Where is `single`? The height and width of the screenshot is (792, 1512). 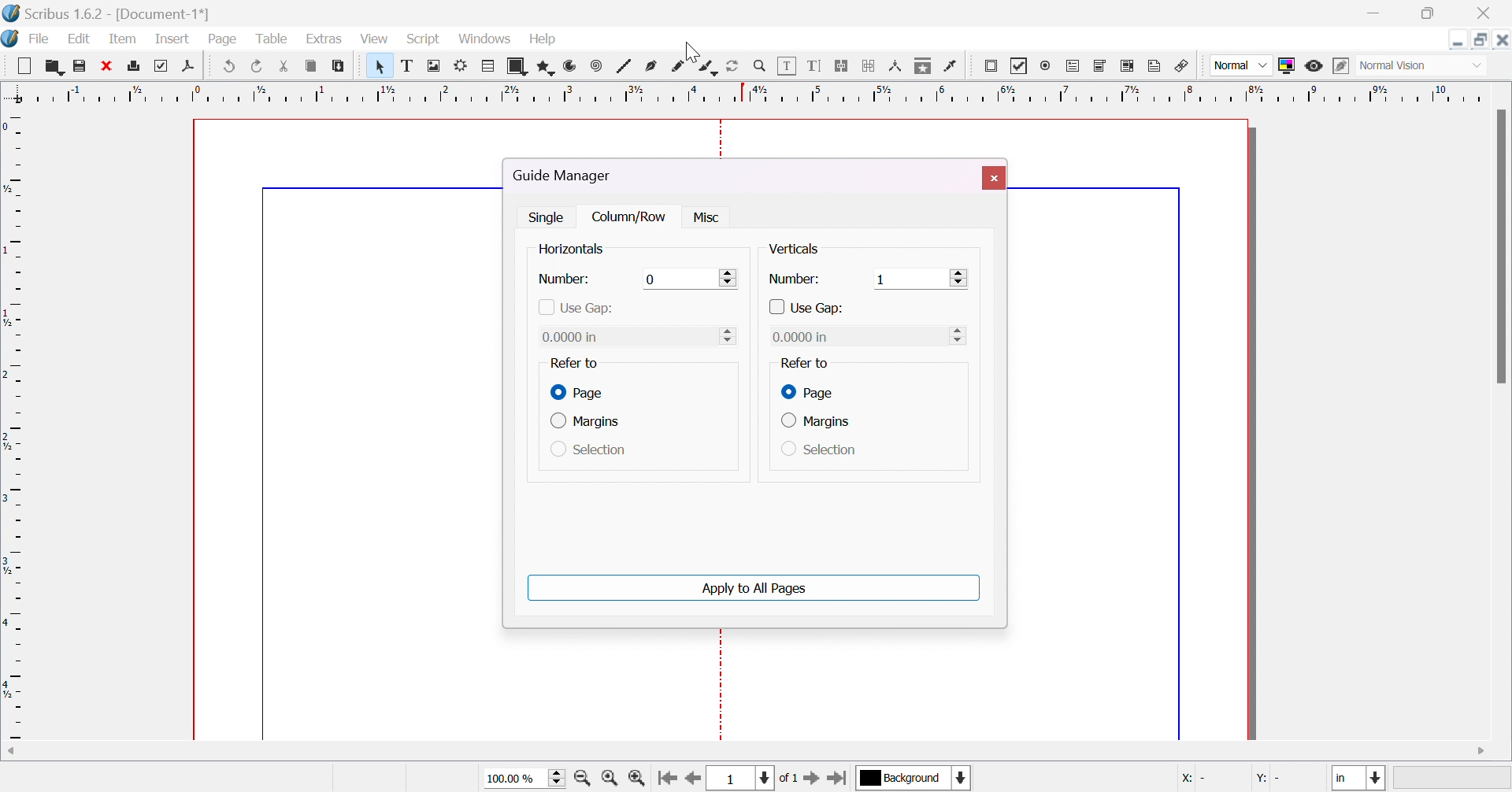 single is located at coordinates (549, 216).